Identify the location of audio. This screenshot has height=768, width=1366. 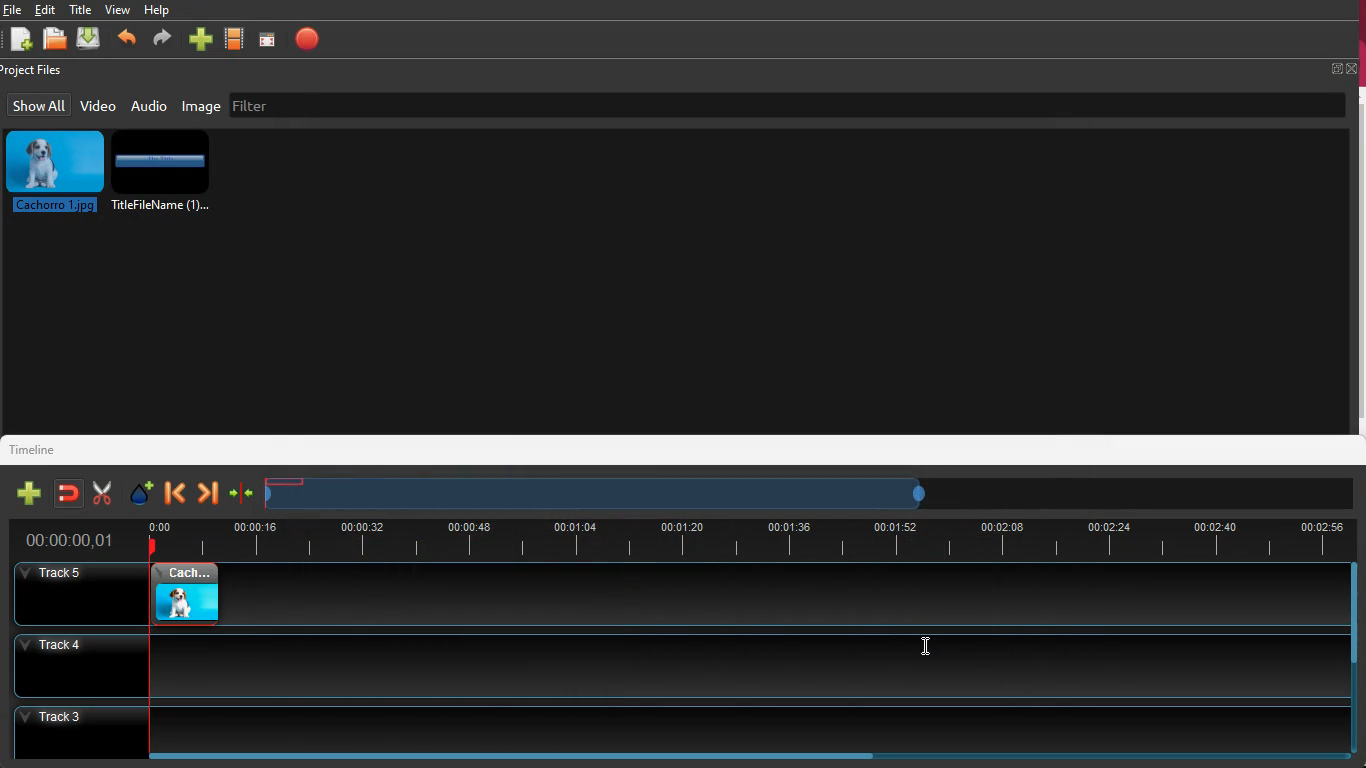
(149, 105).